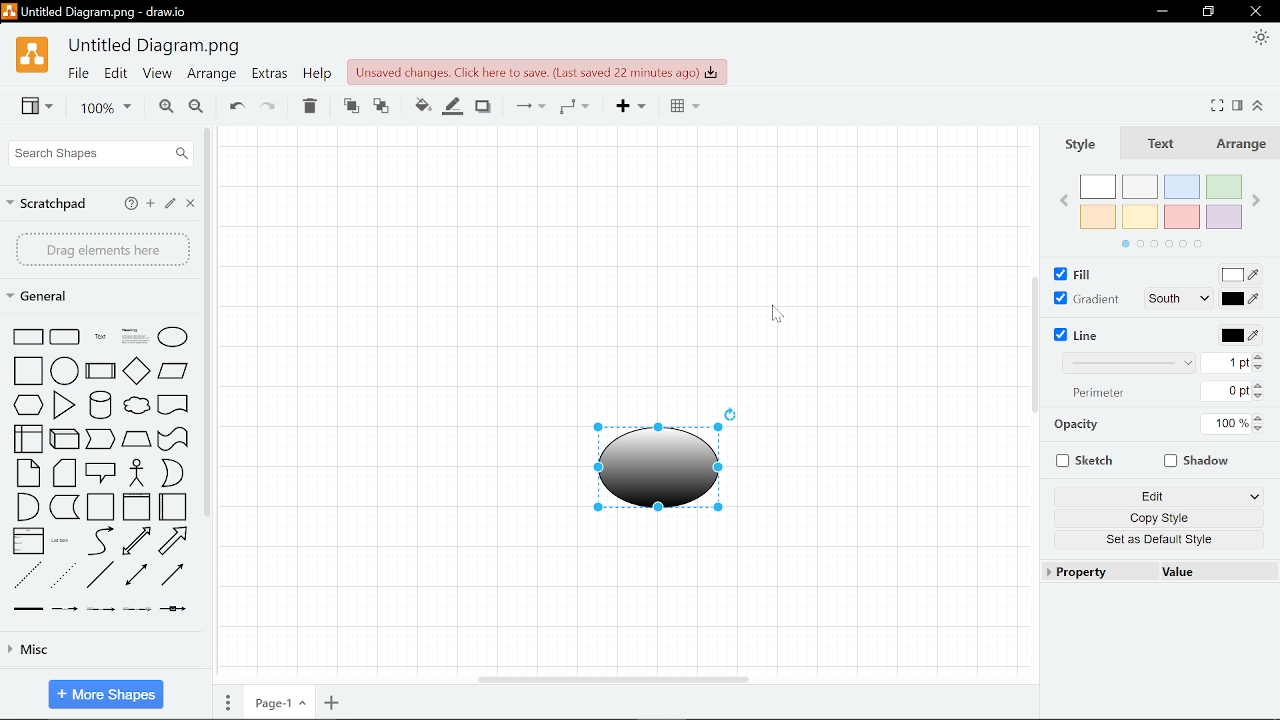  What do you see at coordinates (1232, 363) in the screenshot?
I see `Current line width` at bounding box center [1232, 363].